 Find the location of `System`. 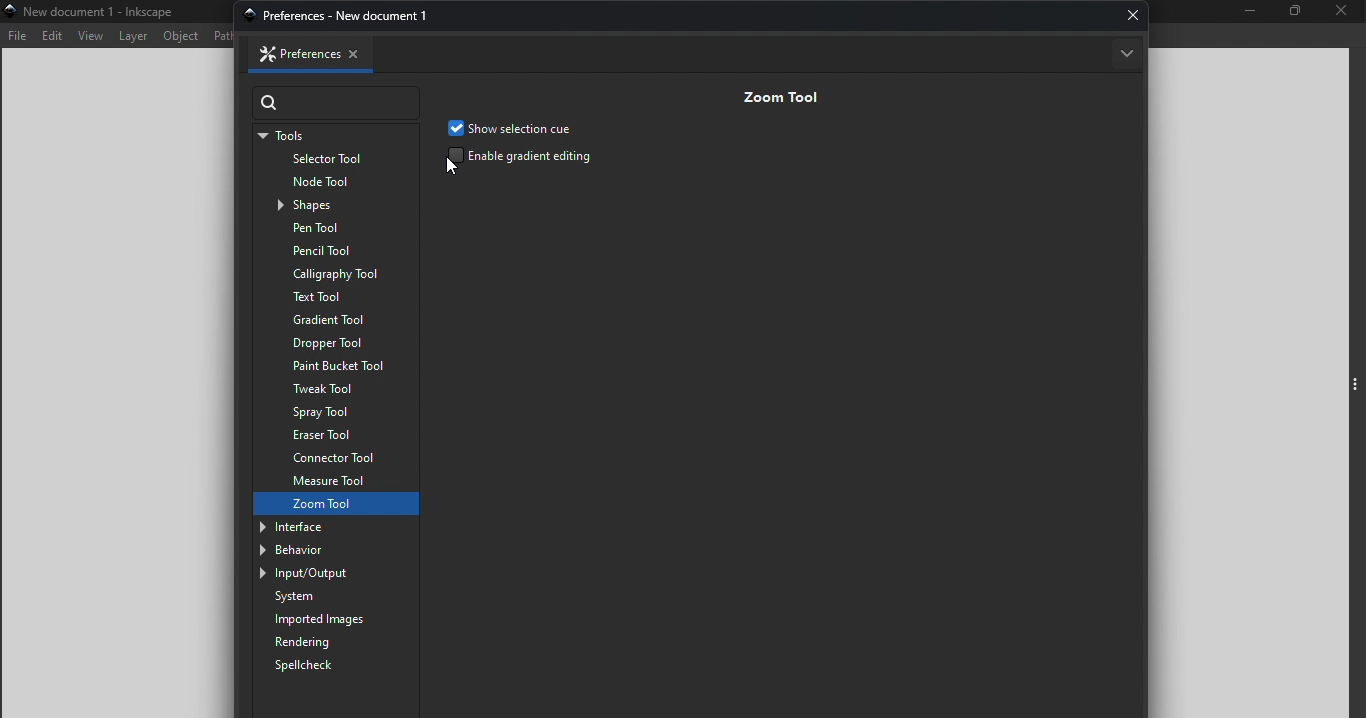

System is located at coordinates (331, 595).